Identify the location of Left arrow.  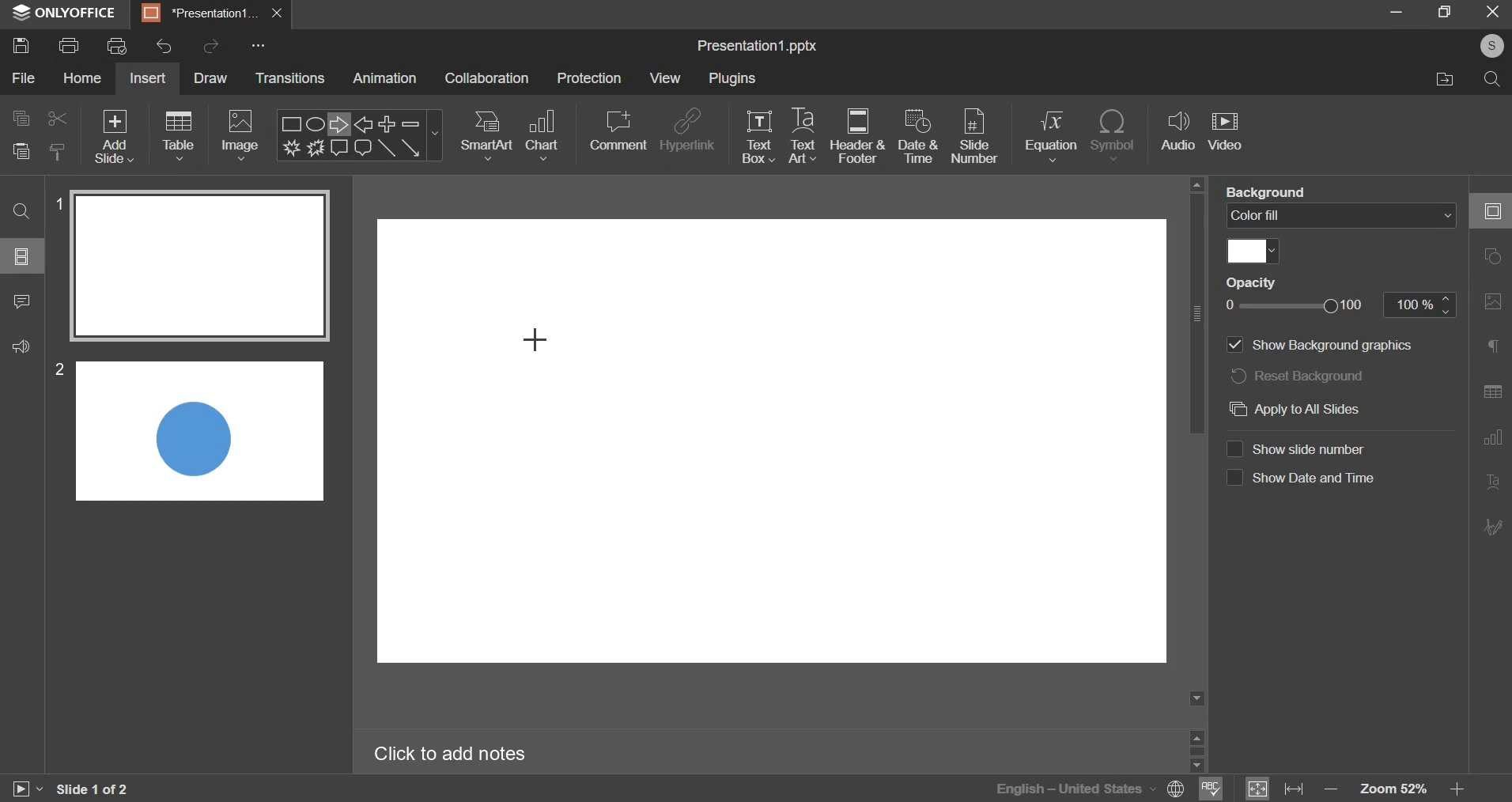
(364, 123).